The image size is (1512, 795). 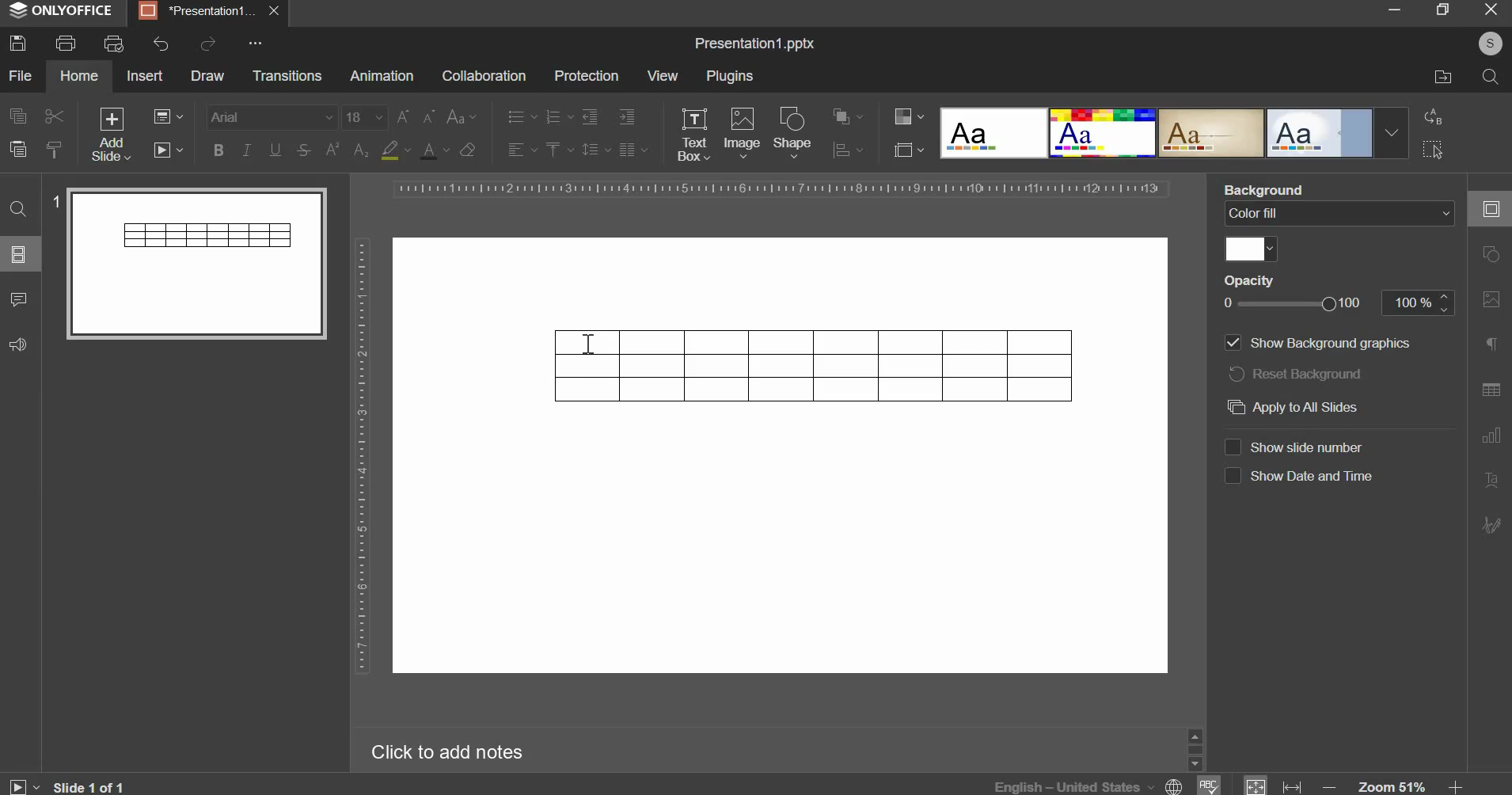 What do you see at coordinates (461, 117) in the screenshot?
I see `change case` at bounding box center [461, 117].